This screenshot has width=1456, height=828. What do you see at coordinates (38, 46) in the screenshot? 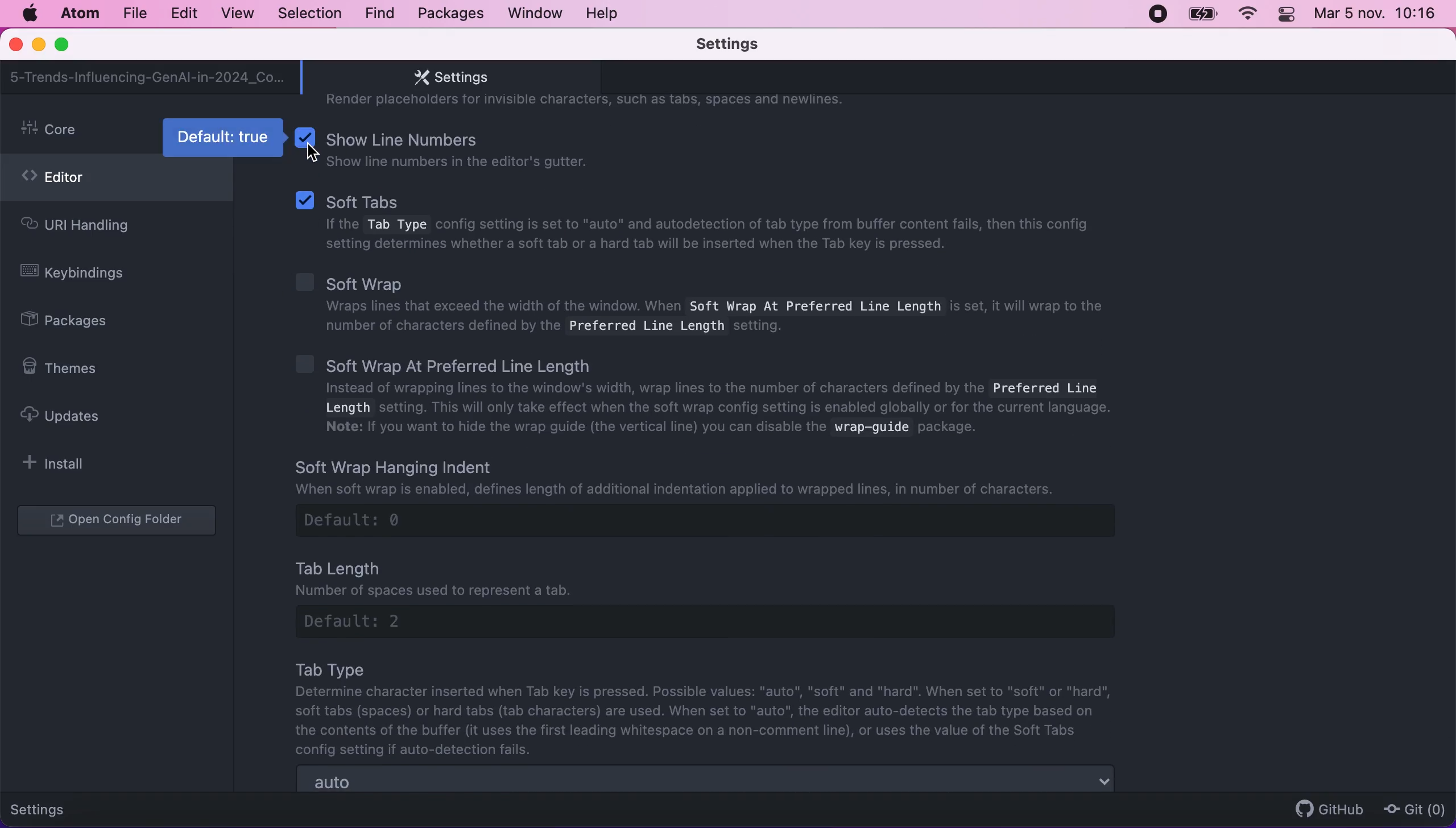
I see `minimize` at bounding box center [38, 46].